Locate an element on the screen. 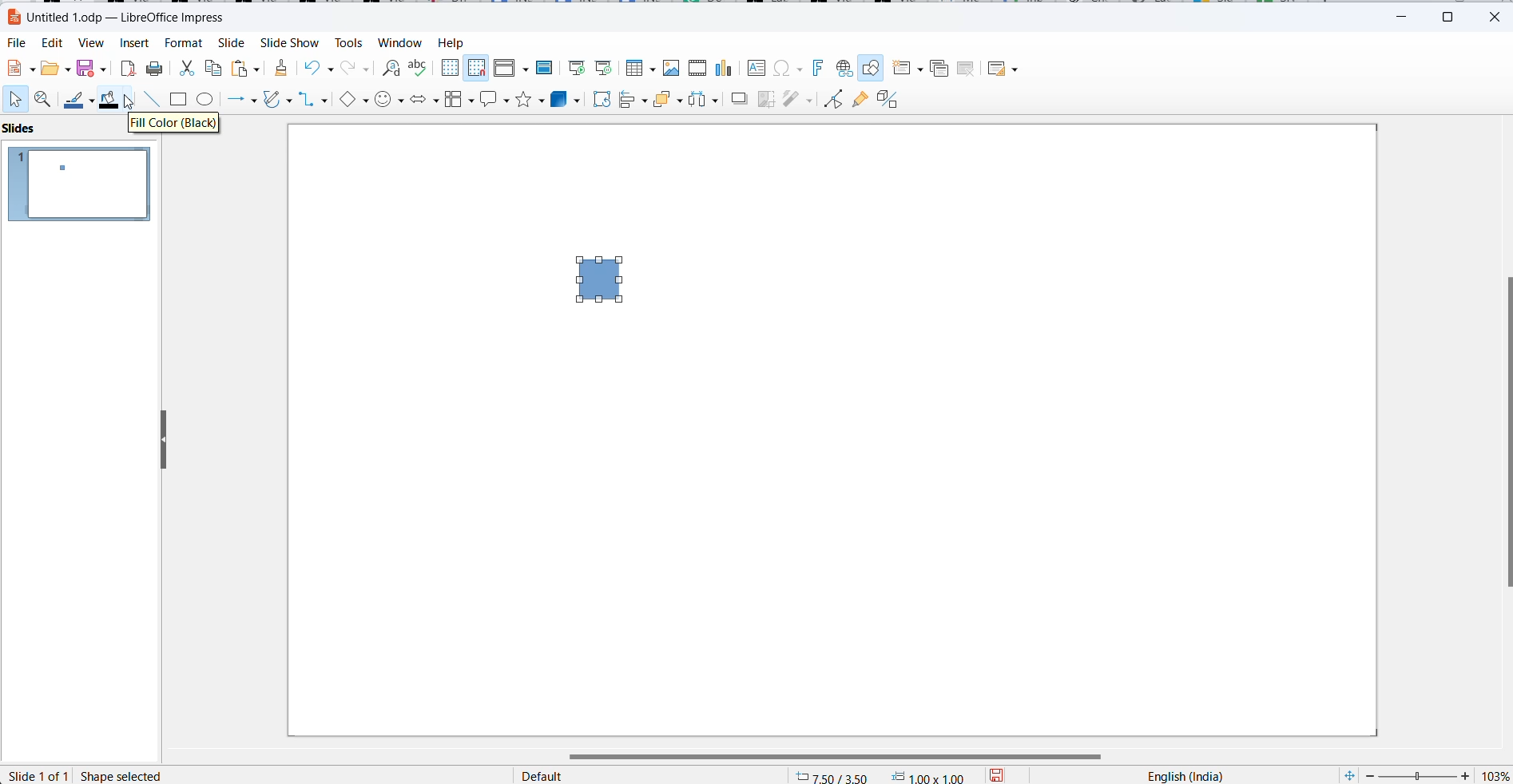 Image resolution: width=1513 pixels, height=784 pixels. Insert text is located at coordinates (757, 67).